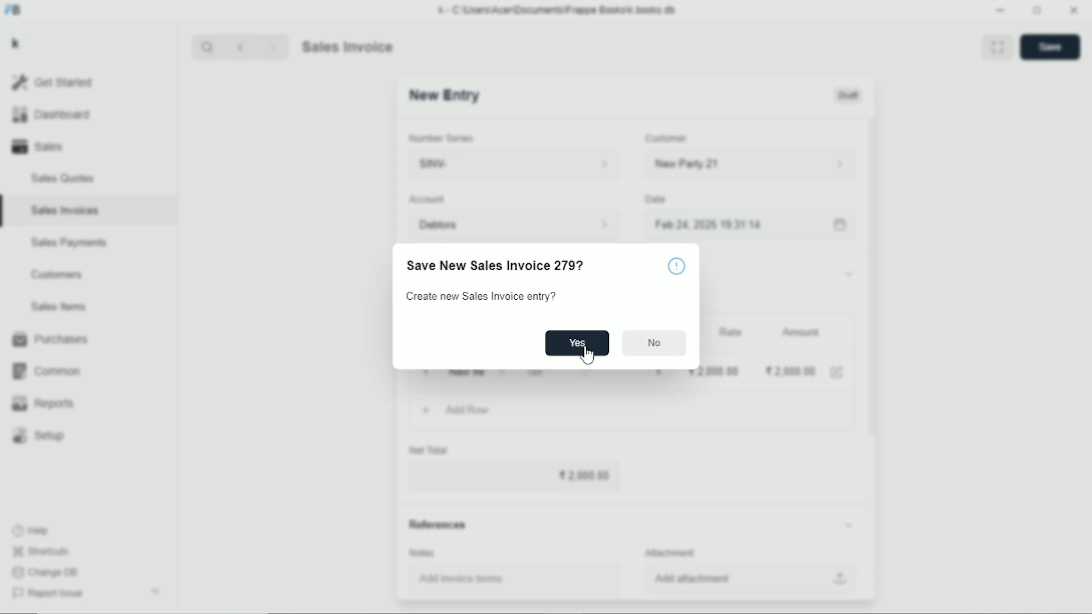  Describe the element at coordinates (428, 199) in the screenshot. I see `Account` at that location.